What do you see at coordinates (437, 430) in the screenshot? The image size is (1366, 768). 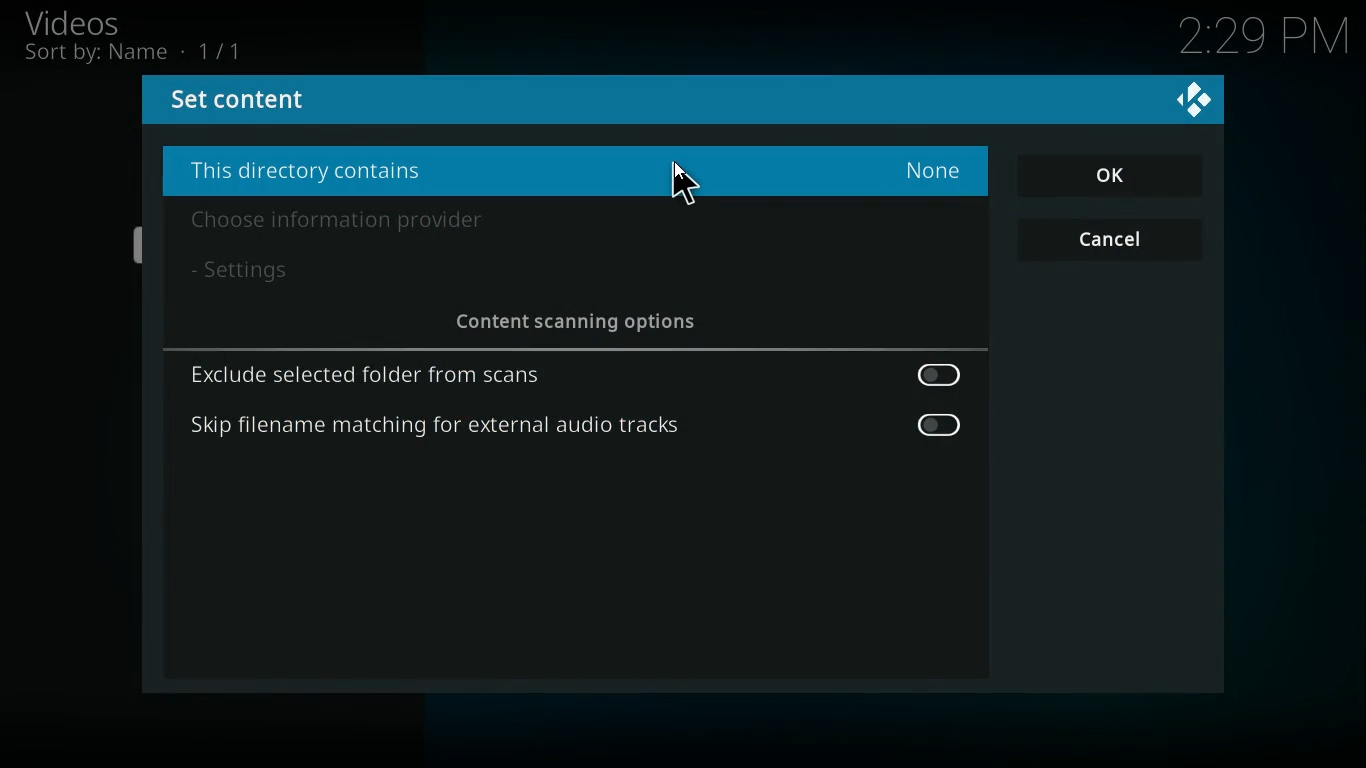 I see `skip filename matching for external audio tracks` at bounding box center [437, 430].